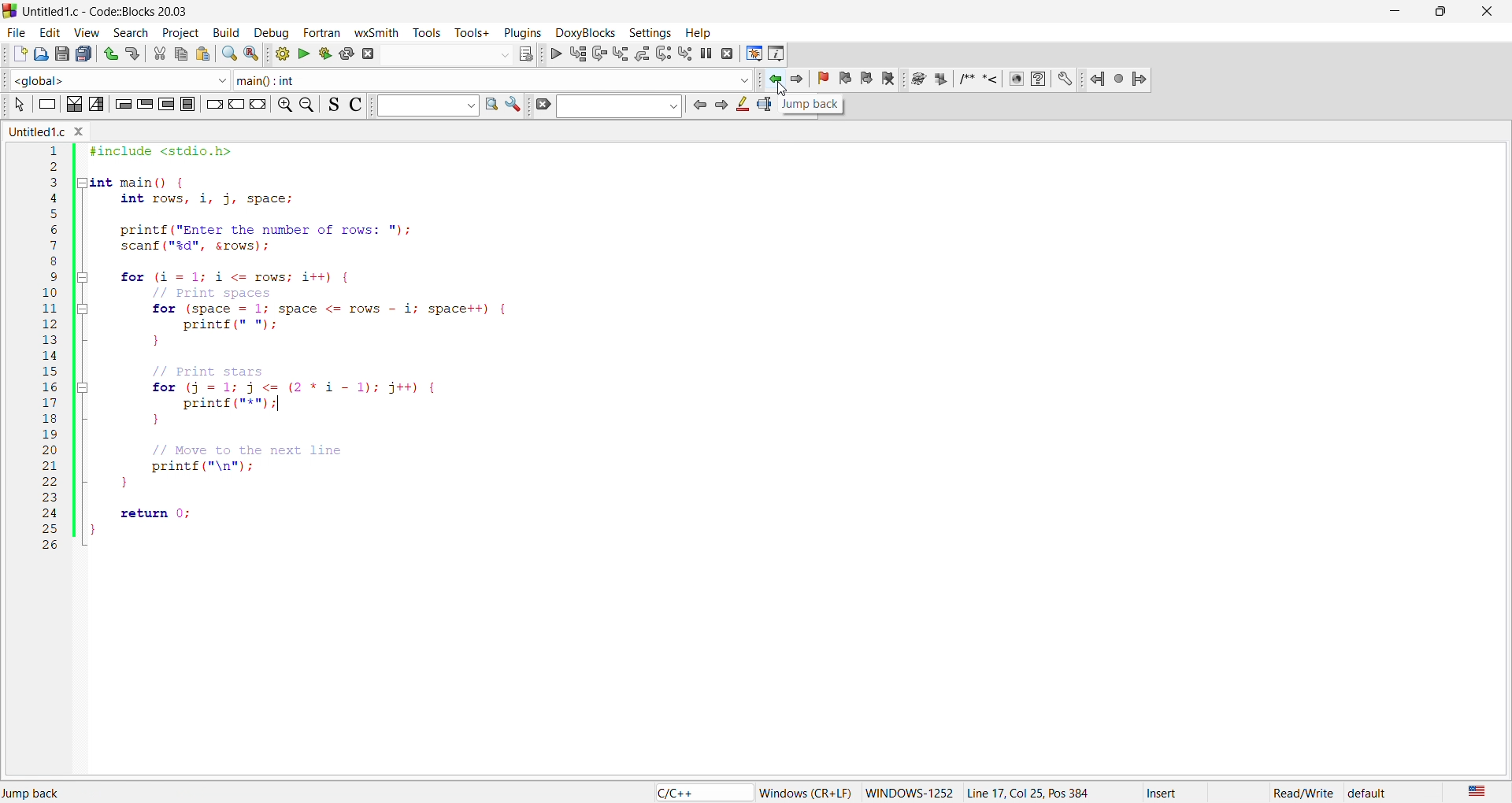 This screenshot has height=803, width=1512. I want to click on debug, so click(271, 31).